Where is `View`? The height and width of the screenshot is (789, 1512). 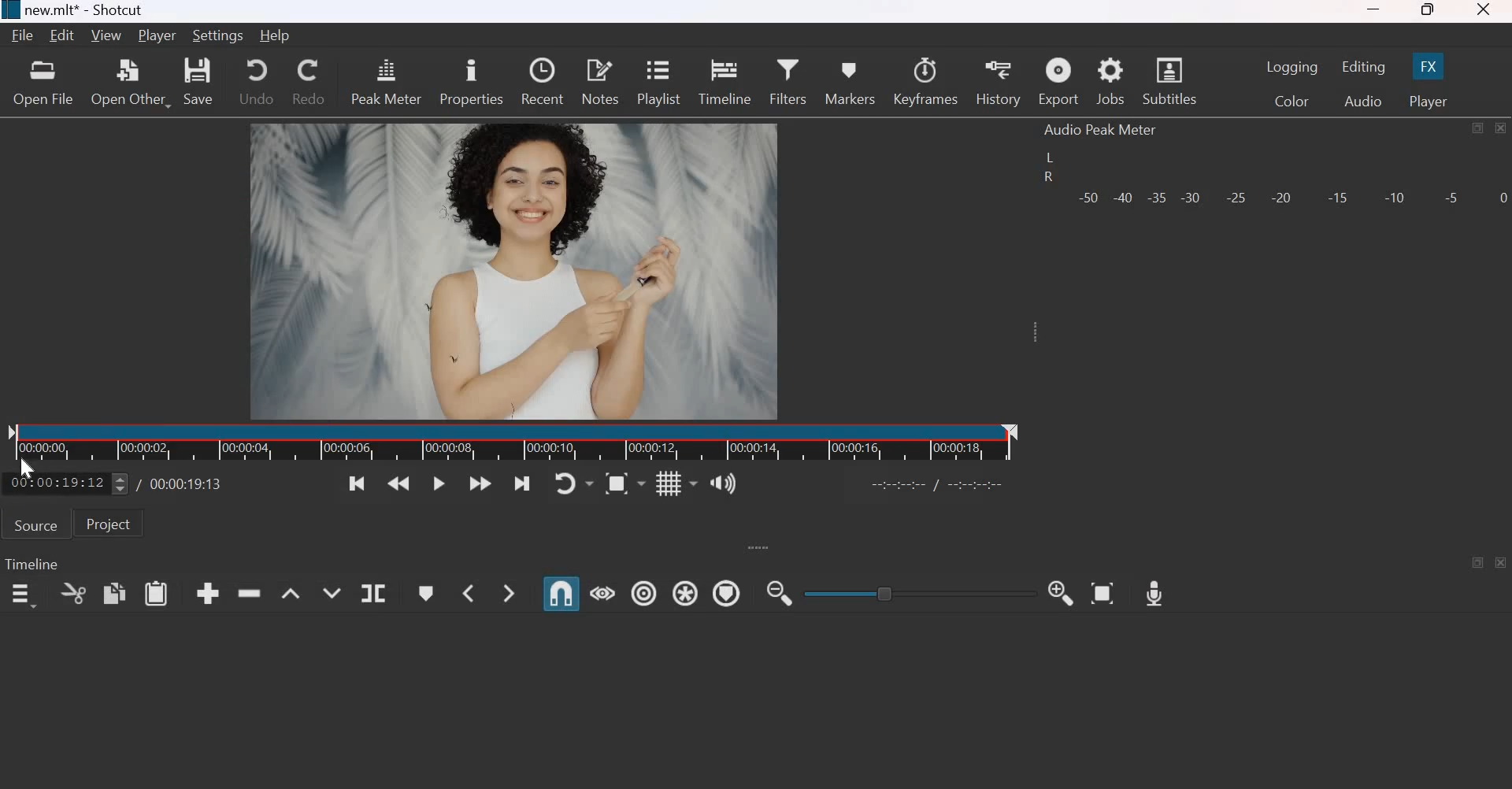 View is located at coordinates (109, 35).